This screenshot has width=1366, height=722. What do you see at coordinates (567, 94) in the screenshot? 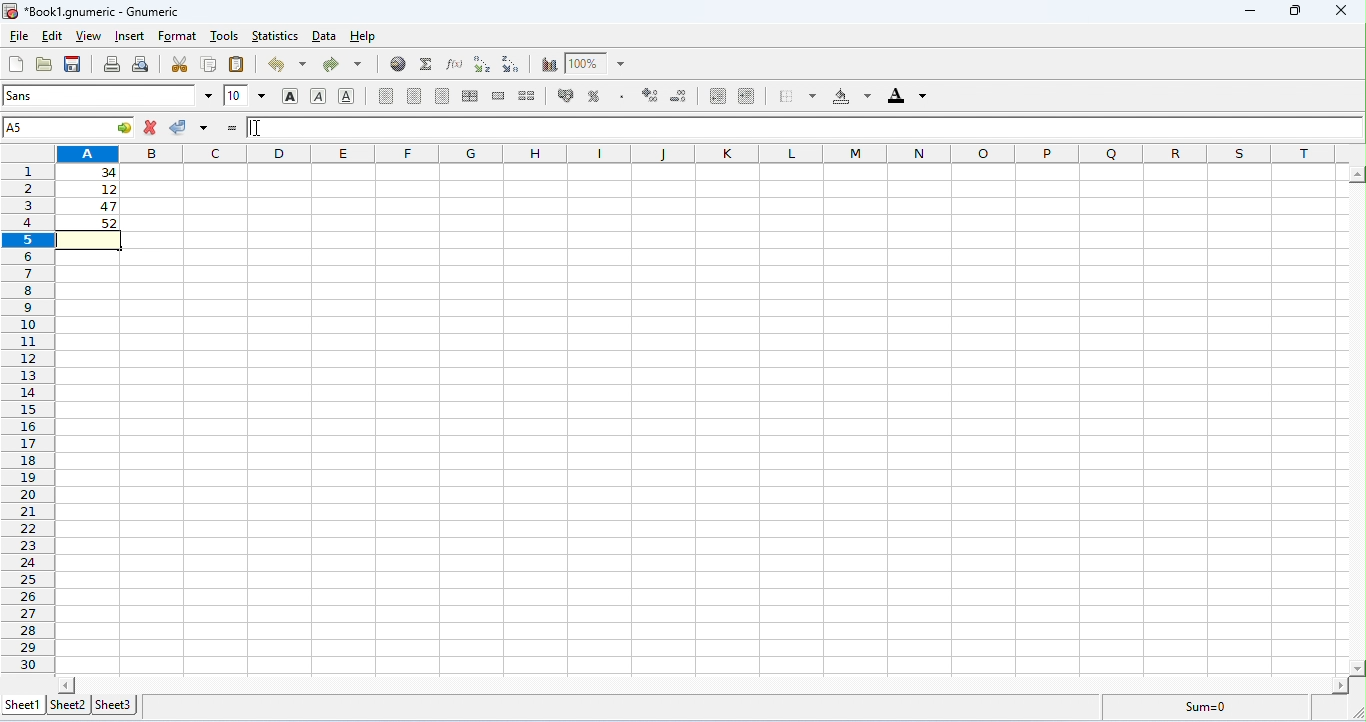
I see `format as currency` at bounding box center [567, 94].